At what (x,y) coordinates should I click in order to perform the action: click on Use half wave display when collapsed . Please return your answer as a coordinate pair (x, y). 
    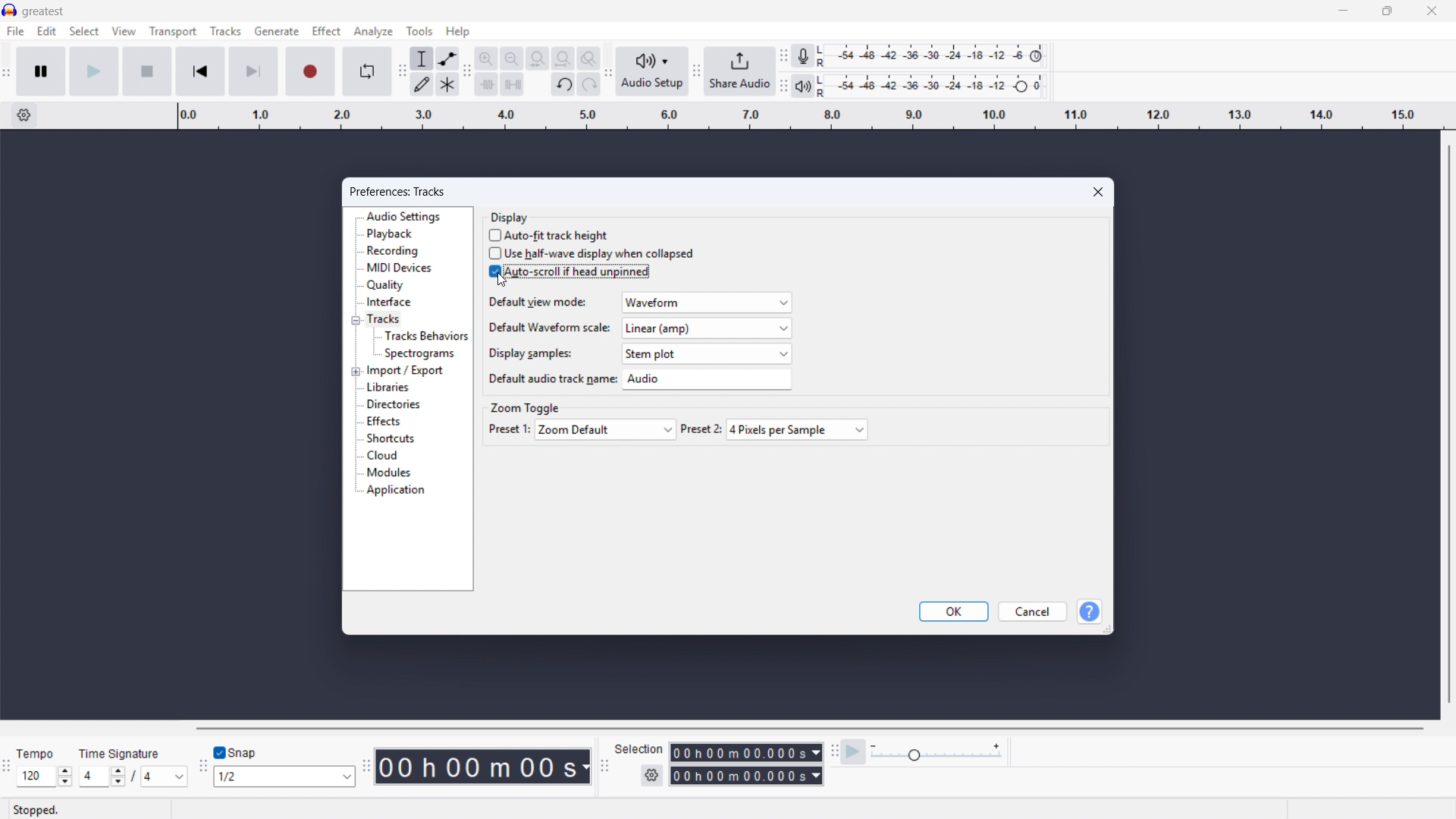
    Looking at the image, I should click on (591, 254).